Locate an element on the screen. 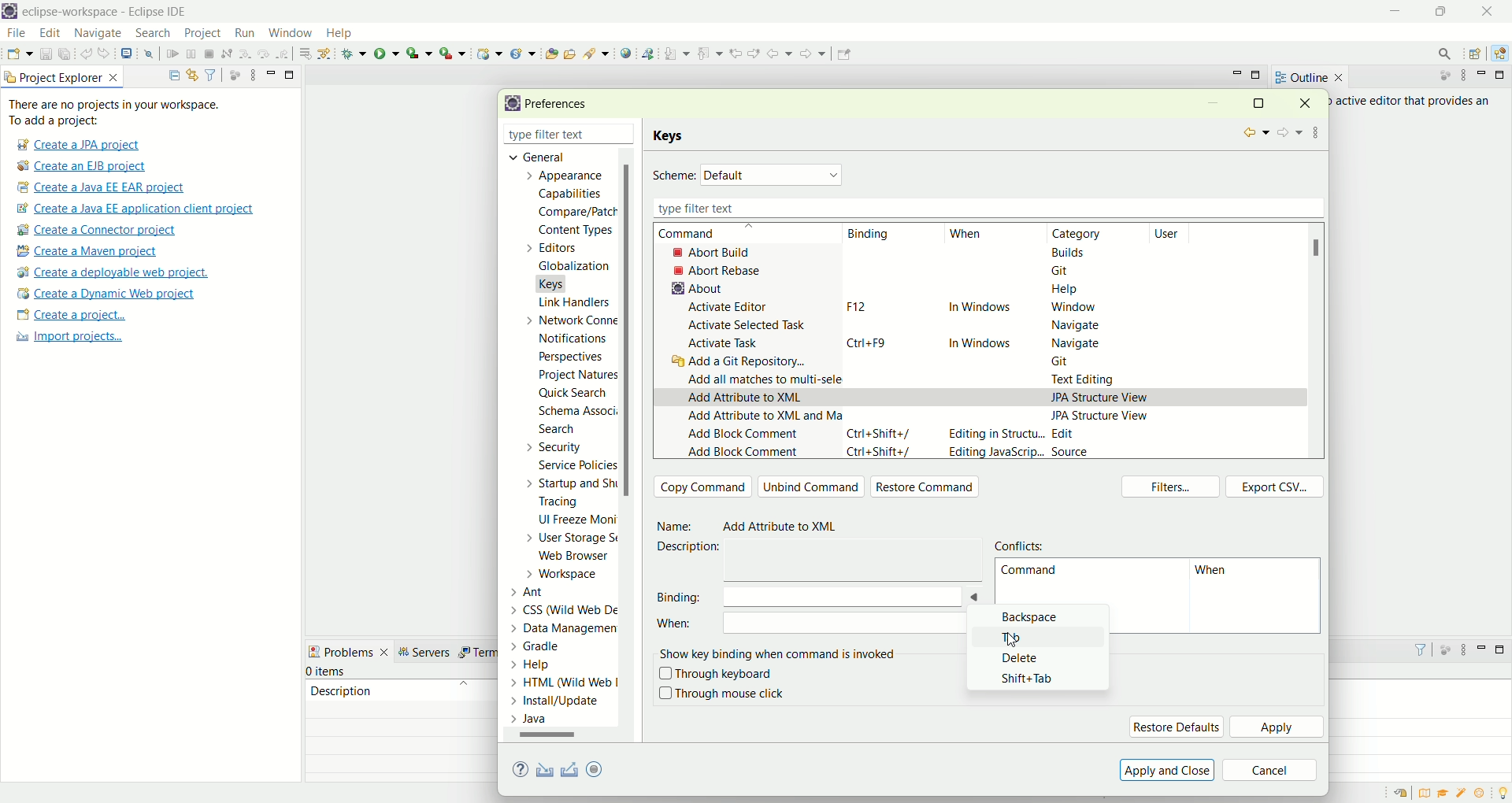 Image resolution: width=1512 pixels, height=803 pixels. keys is located at coordinates (561, 282).